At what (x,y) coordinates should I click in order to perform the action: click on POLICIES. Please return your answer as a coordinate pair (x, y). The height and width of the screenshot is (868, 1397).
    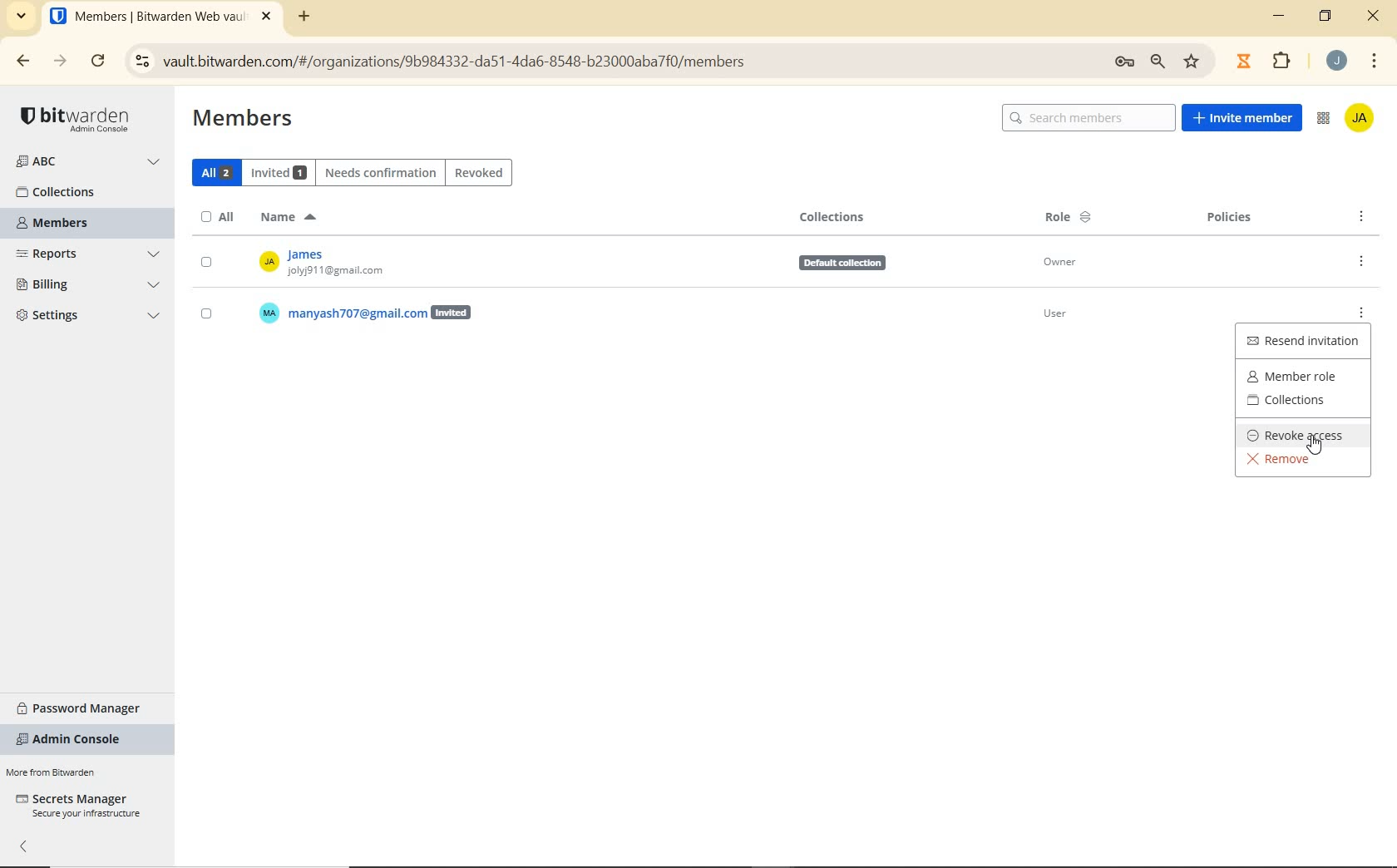
    Looking at the image, I should click on (1232, 219).